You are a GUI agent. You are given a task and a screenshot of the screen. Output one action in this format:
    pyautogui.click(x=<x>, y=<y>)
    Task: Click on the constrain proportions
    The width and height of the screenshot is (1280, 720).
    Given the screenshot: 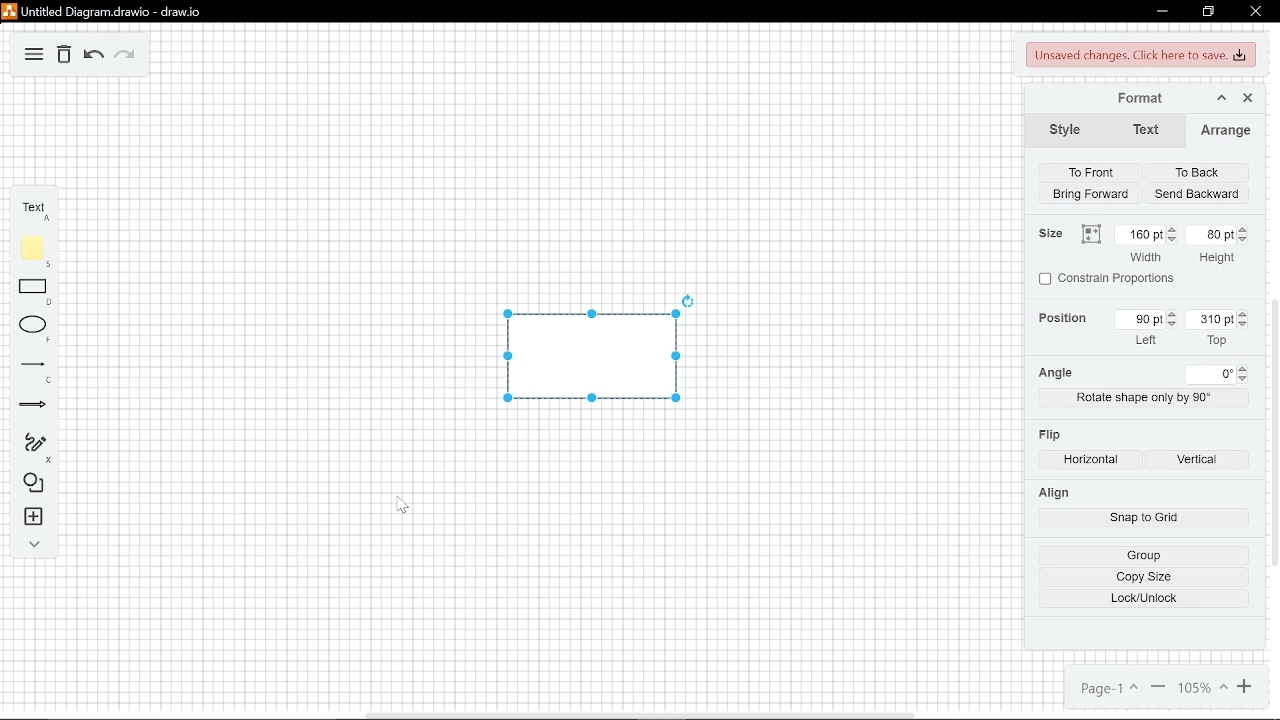 What is the action you would take?
    pyautogui.click(x=1109, y=280)
    